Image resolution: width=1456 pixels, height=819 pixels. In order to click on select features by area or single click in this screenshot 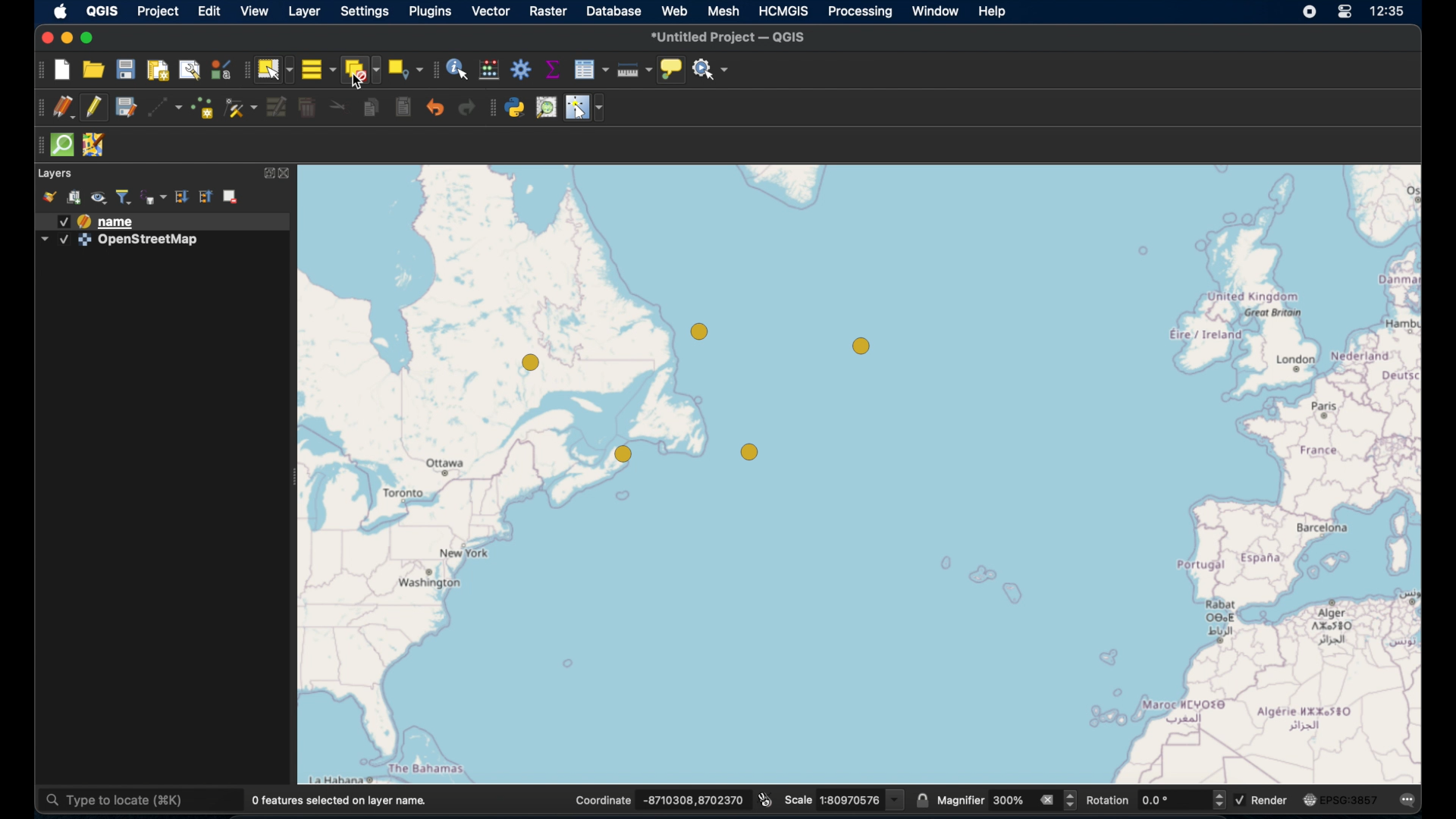, I will do `click(275, 70)`.